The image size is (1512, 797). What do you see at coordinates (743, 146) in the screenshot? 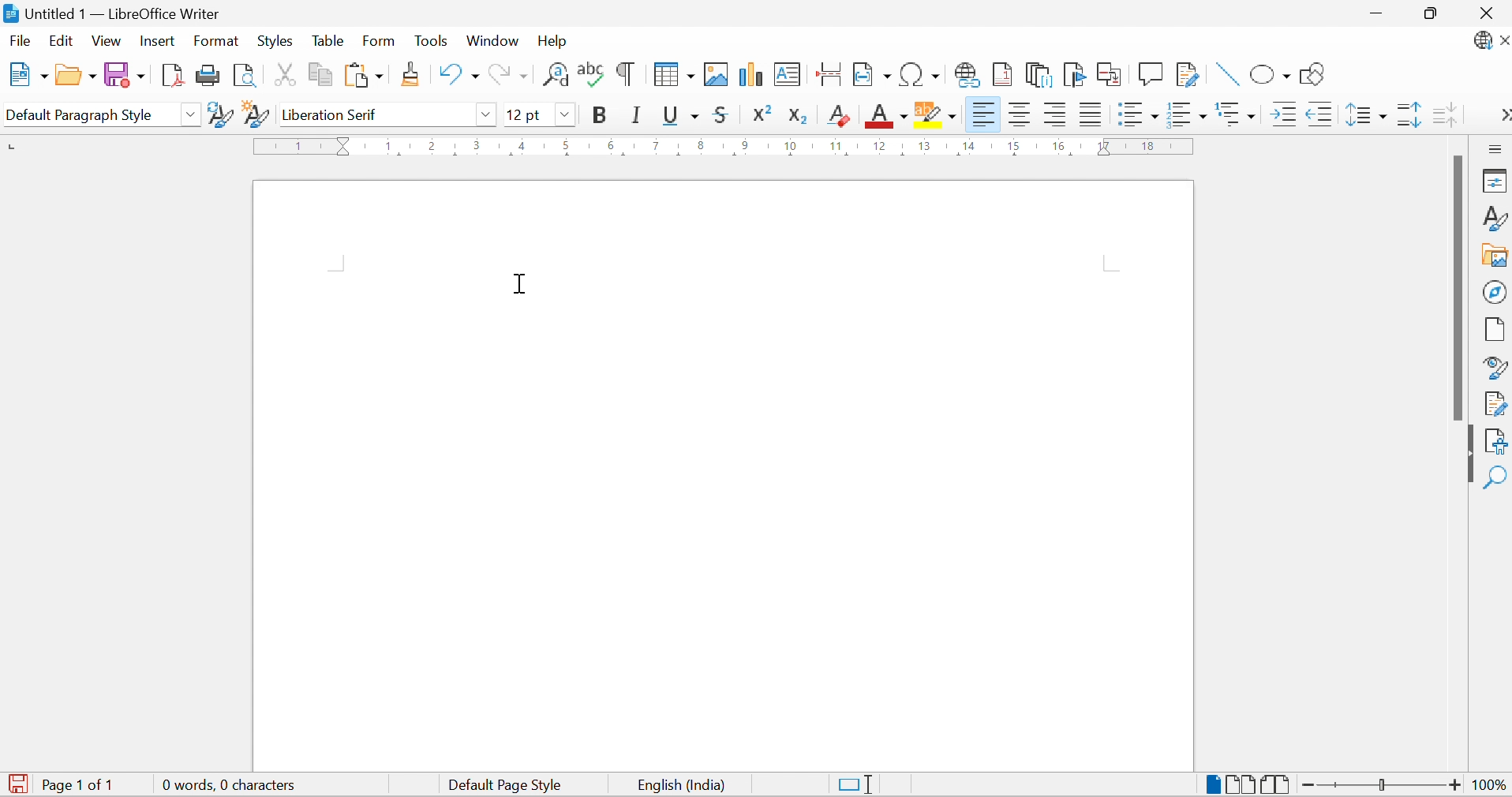
I see `9` at bounding box center [743, 146].